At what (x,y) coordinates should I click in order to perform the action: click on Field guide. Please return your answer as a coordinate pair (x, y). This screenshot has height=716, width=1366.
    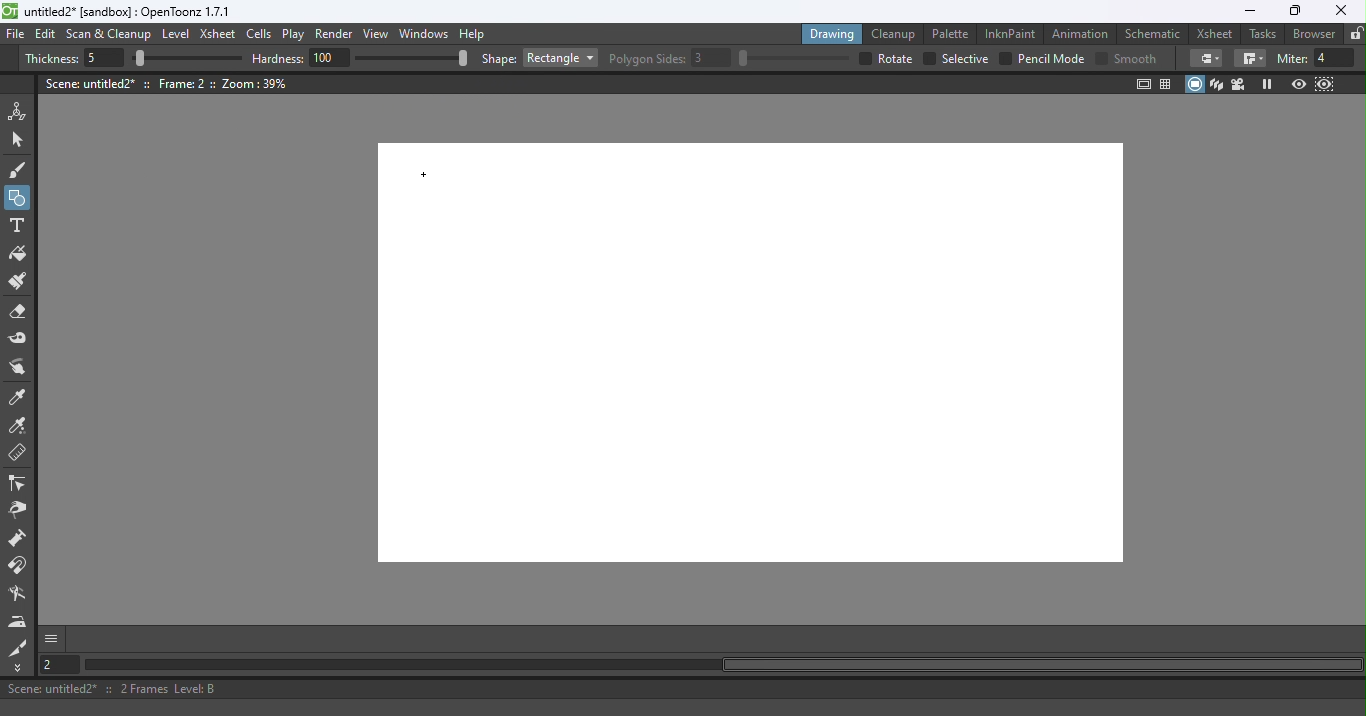
    Looking at the image, I should click on (1169, 83).